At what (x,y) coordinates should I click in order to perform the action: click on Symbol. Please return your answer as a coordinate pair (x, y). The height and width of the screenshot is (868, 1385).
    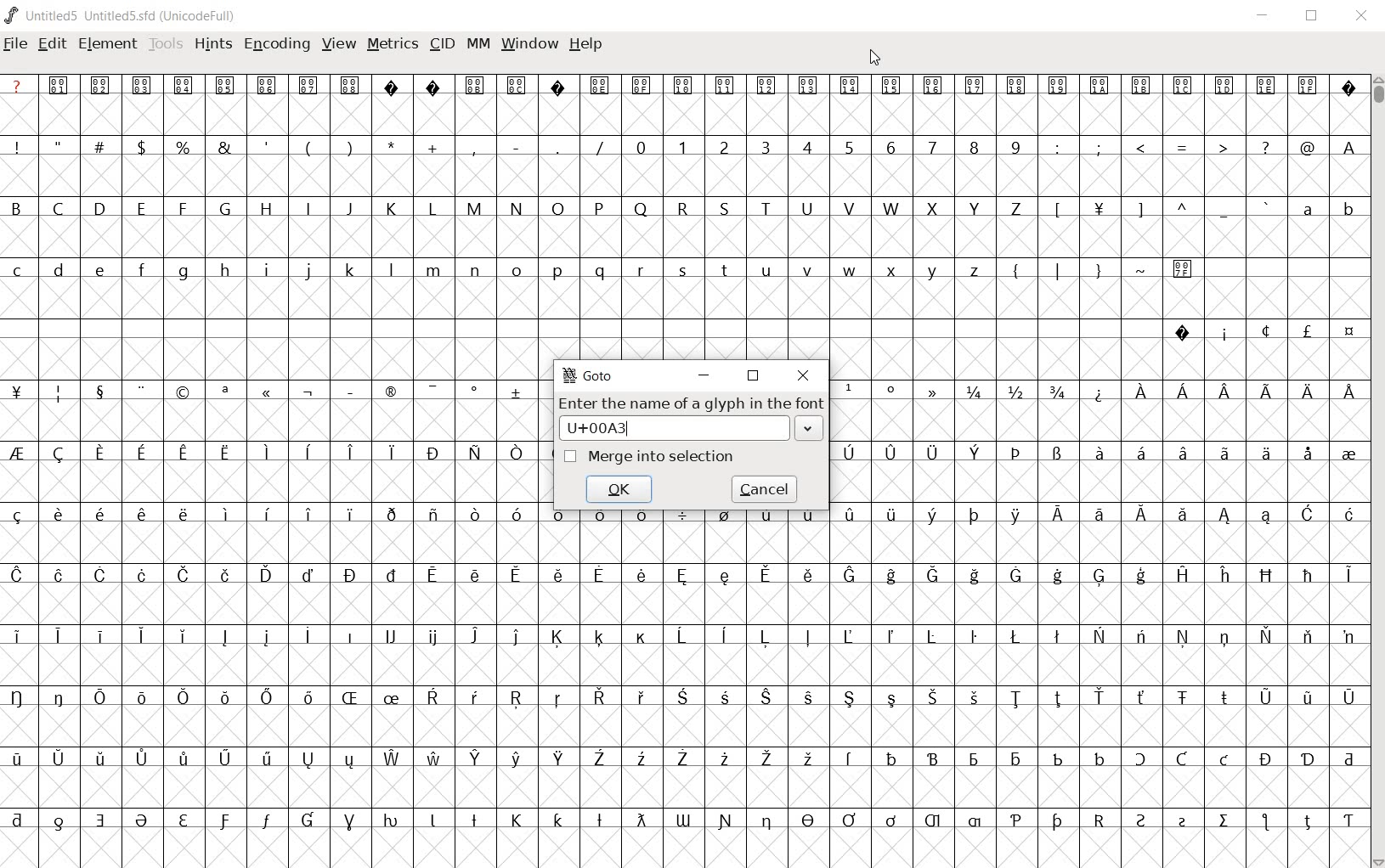
    Looking at the image, I should click on (1099, 757).